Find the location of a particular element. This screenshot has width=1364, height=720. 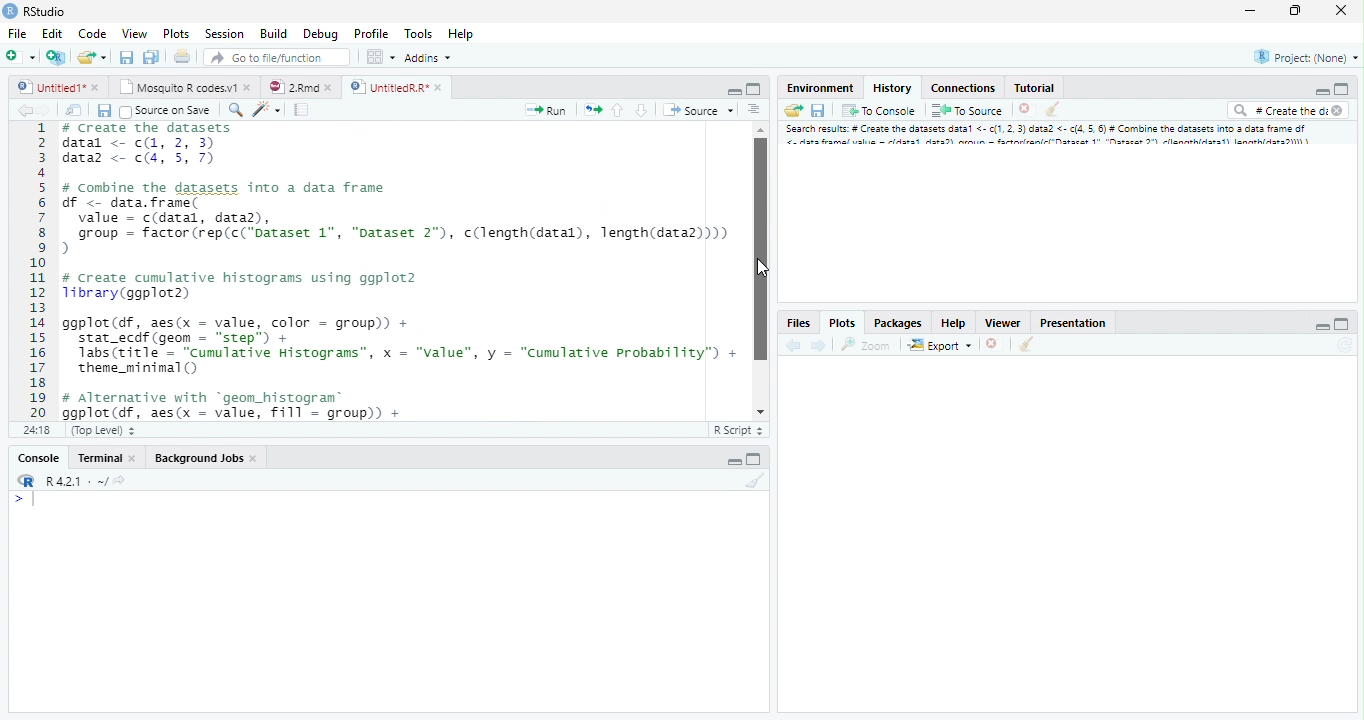

Prsentation is located at coordinates (1069, 321).